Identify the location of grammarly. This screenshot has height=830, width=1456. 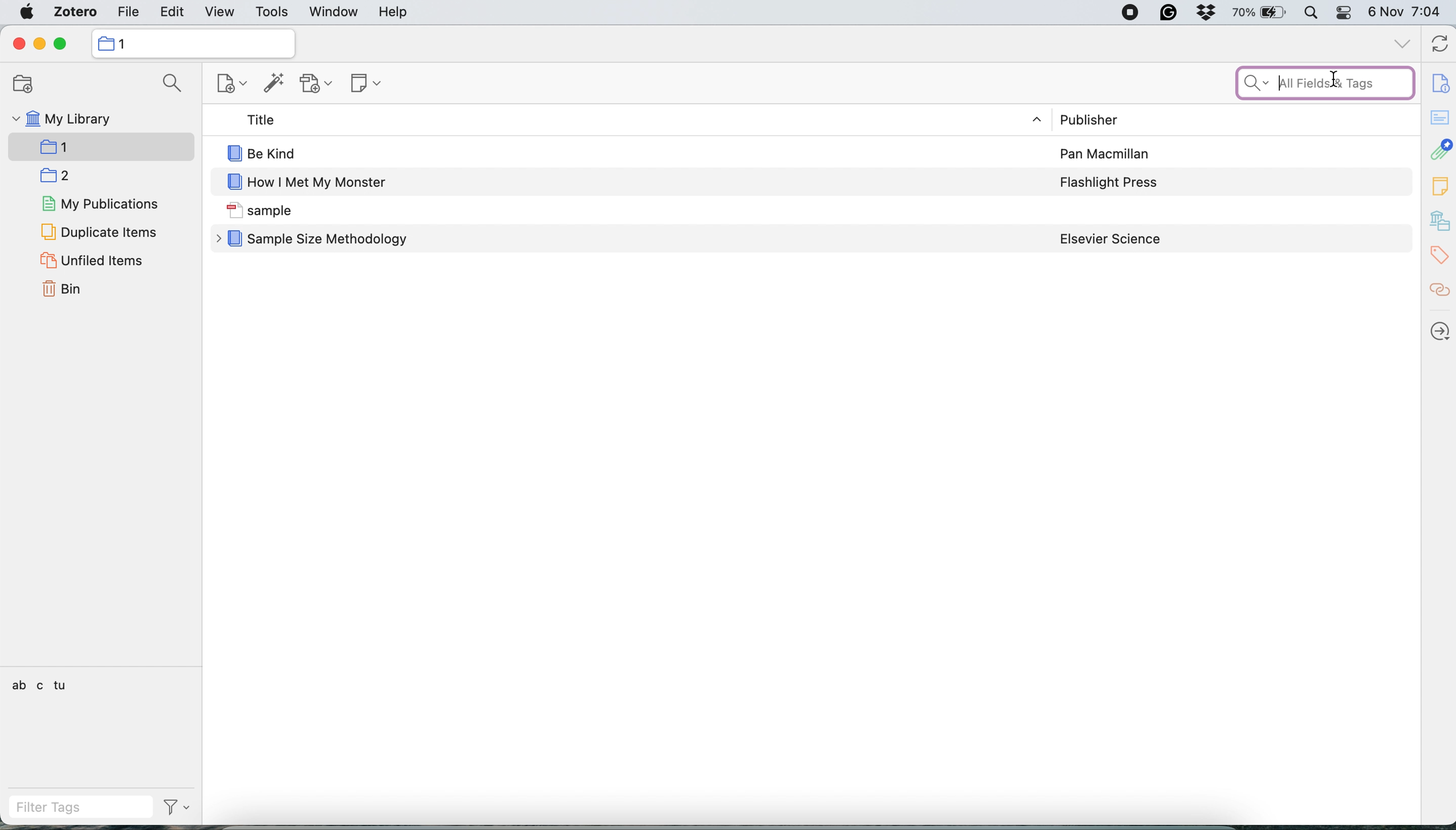
(1169, 13).